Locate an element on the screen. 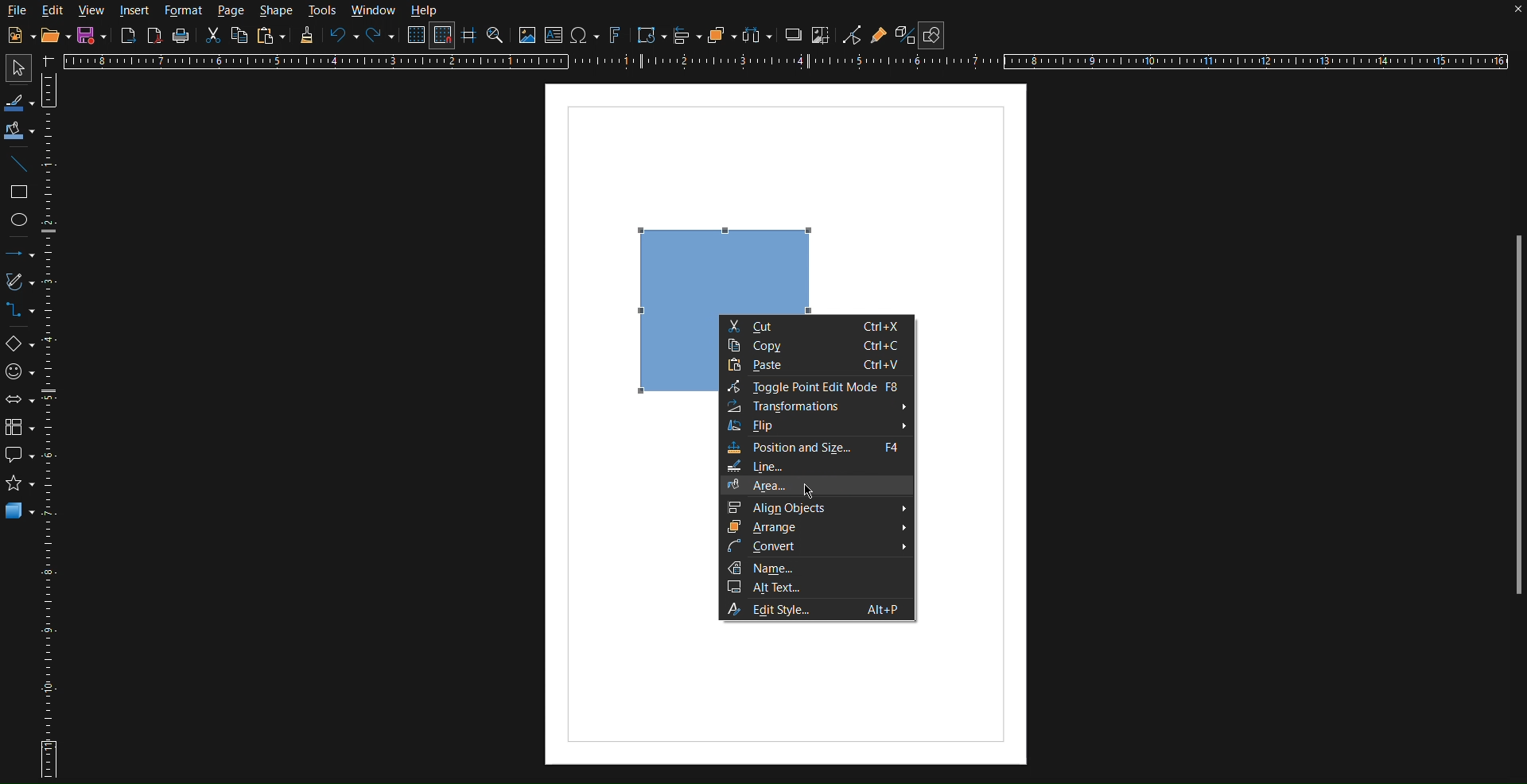 The width and height of the screenshot is (1527, 784). Callout Shapes is located at coordinates (18, 459).